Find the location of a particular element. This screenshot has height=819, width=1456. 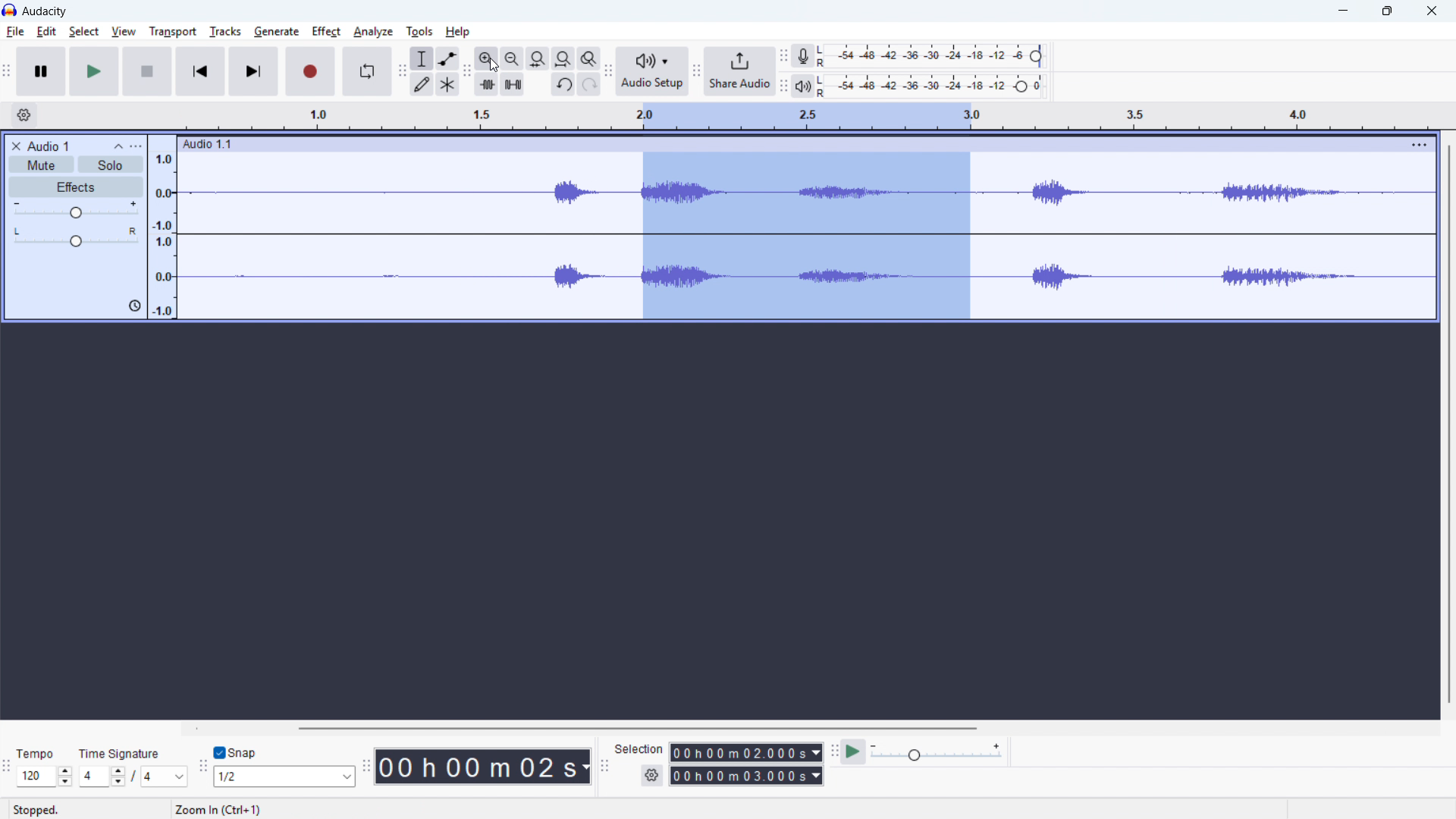

Collapse is located at coordinates (118, 146).